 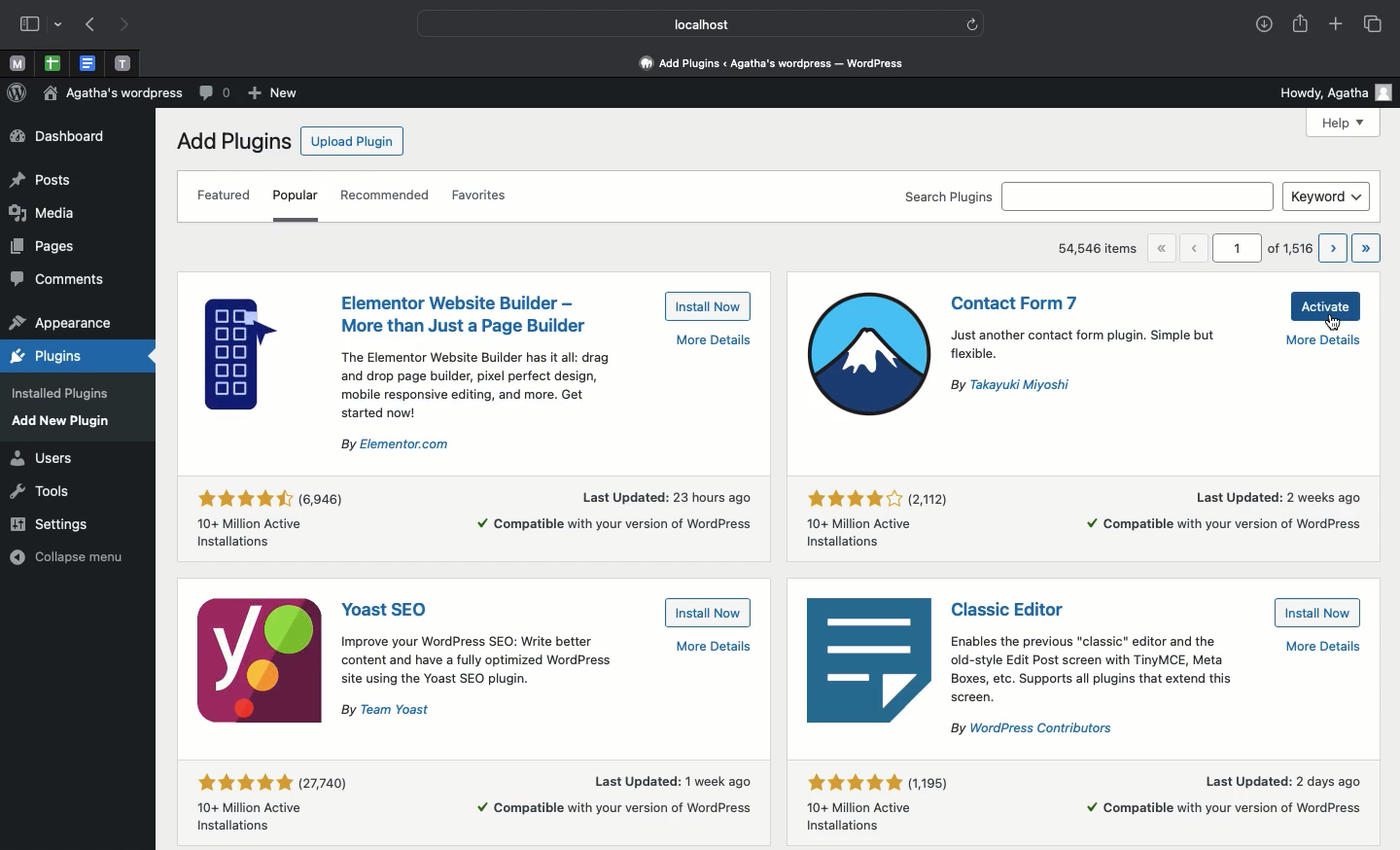 What do you see at coordinates (1018, 303) in the screenshot?
I see `Contact form 7` at bounding box center [1018, 303].